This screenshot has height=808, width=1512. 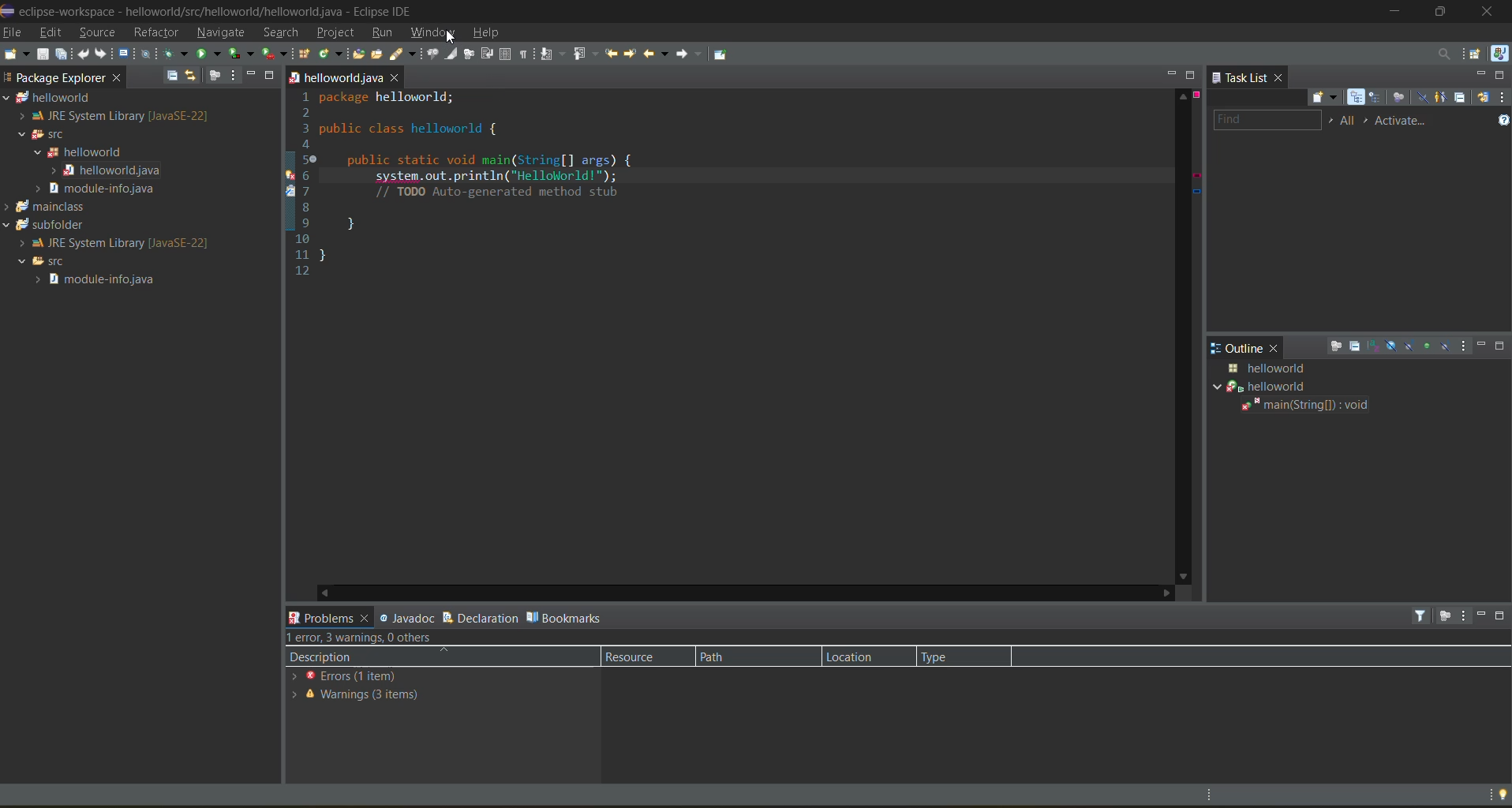 What do you see at coordinates (407, 617) in the screenshot?
I see `javadoc` at bounding box center [407, 617].